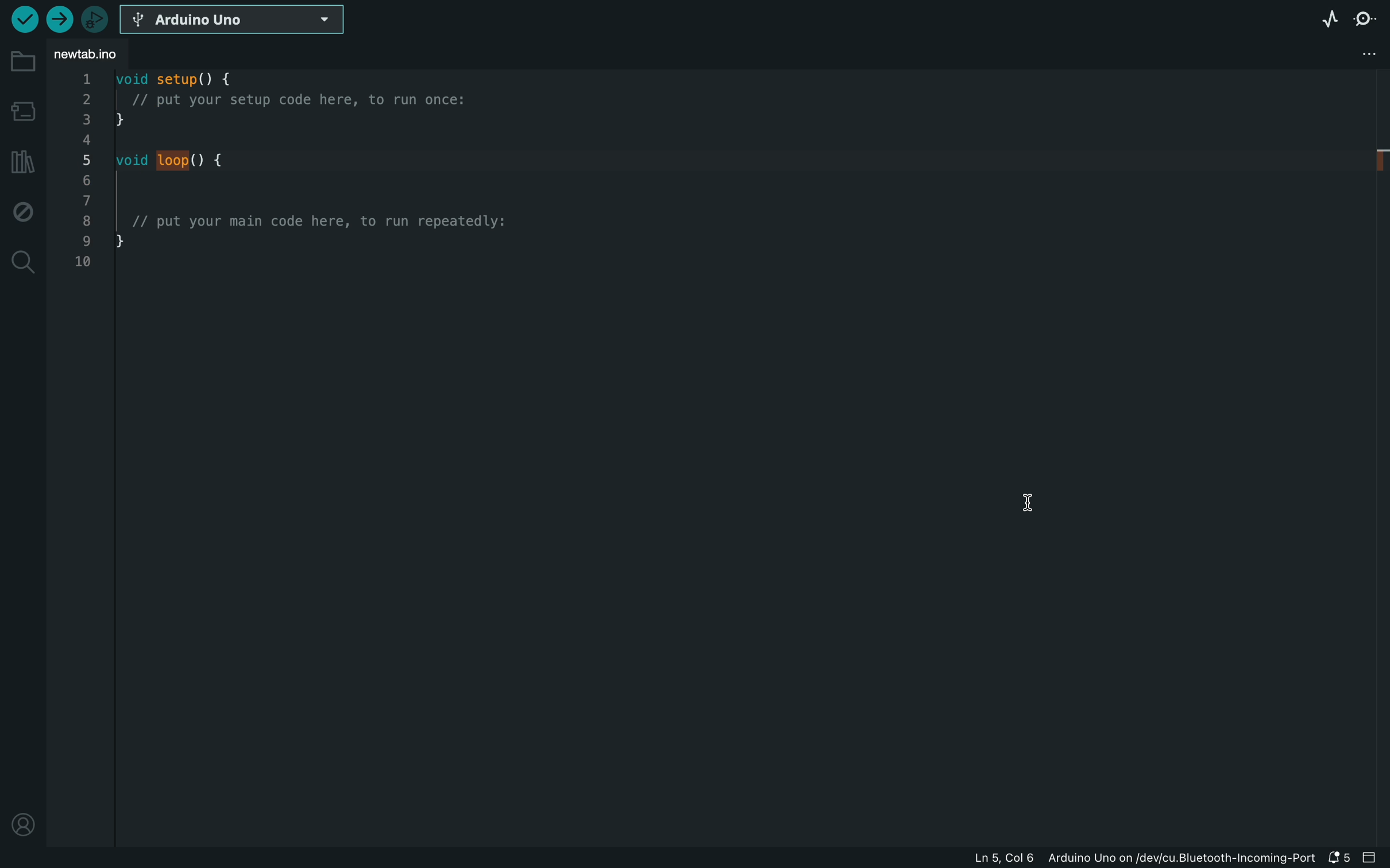 The width and height of the screenshot is (1390, 868). What do you see at coordinates (21, 162) in the screenshot?
I see `libraries manager` at bounding box center [21, 162].